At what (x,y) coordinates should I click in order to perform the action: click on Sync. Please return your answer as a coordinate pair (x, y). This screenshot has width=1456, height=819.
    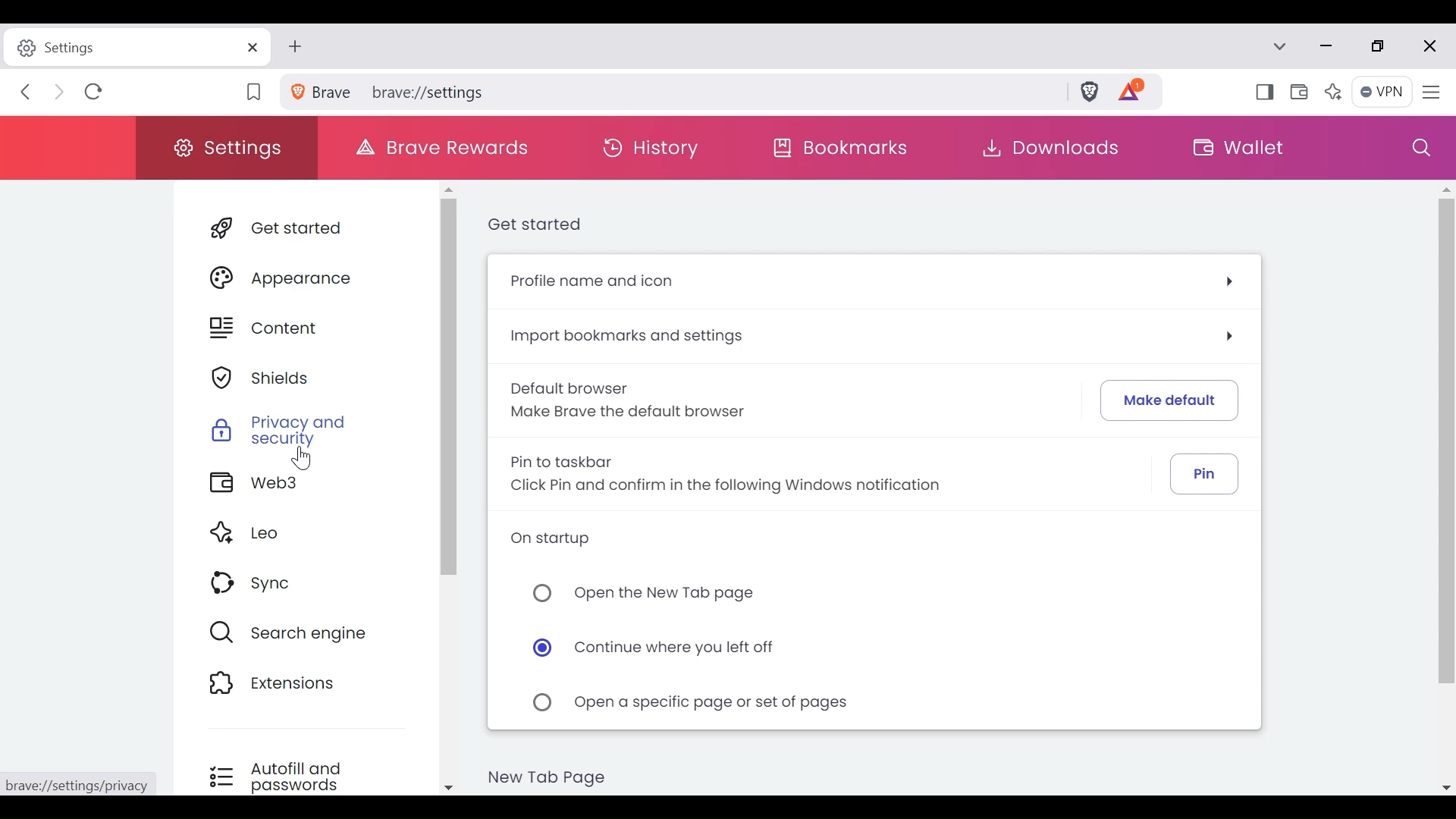
    Looking at the image, I should click on (300, 585).